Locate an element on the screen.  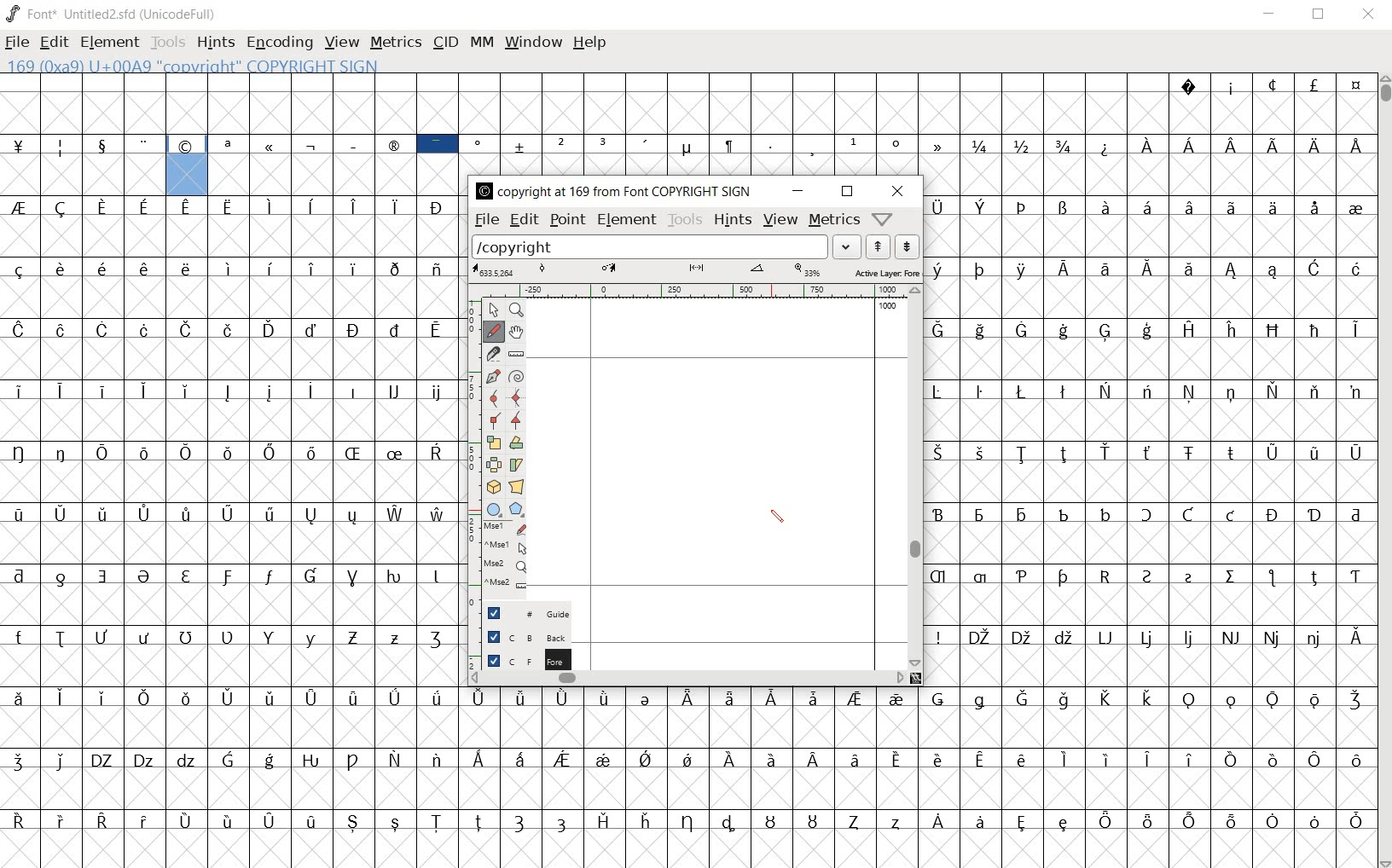
window is located at coordinates (531, 42).